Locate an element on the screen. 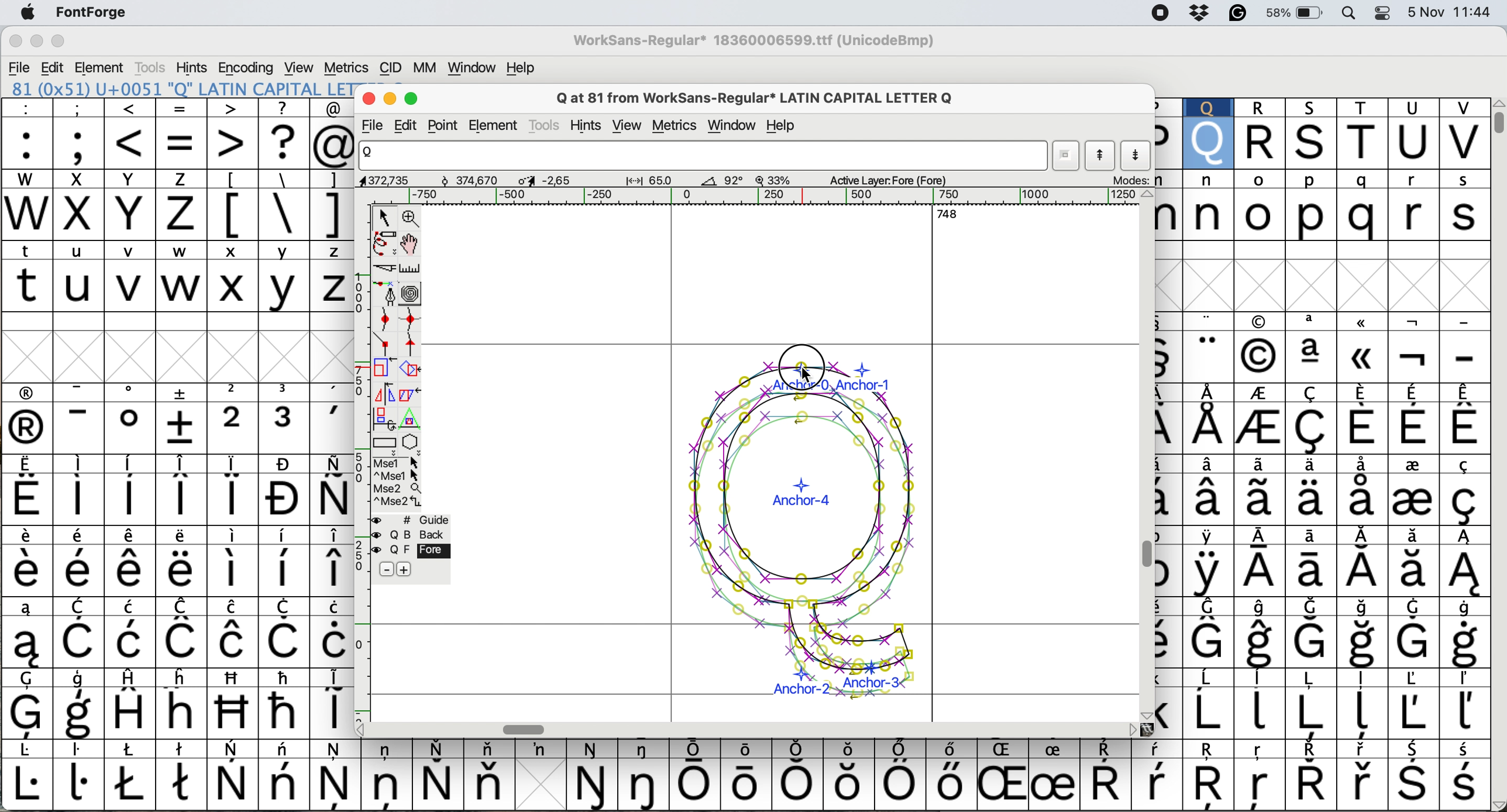  zoom in is located at coordinates (411, 219).